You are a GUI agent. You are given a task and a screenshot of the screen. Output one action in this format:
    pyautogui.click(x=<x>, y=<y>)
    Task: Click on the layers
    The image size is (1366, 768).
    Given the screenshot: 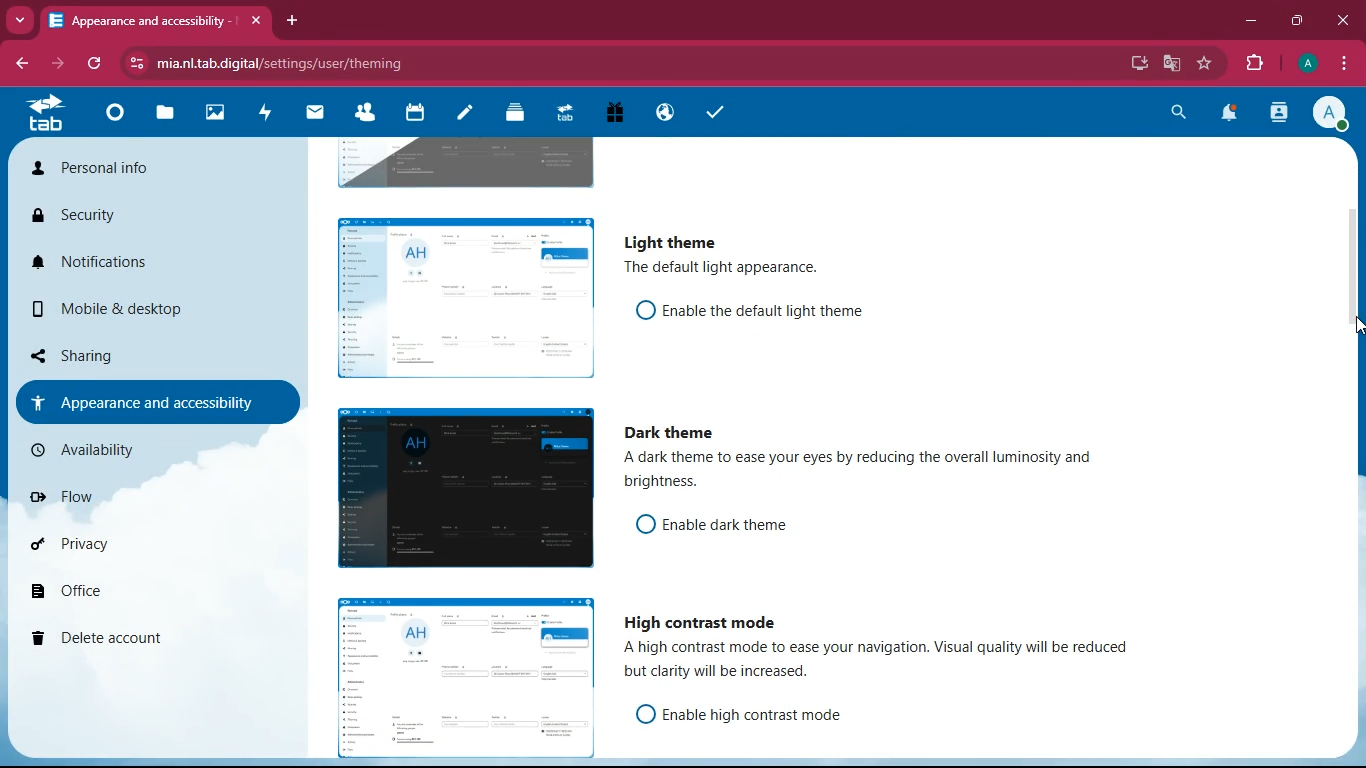 What is the action you would take?
    pyautogui.click(x=511, y=115)
    